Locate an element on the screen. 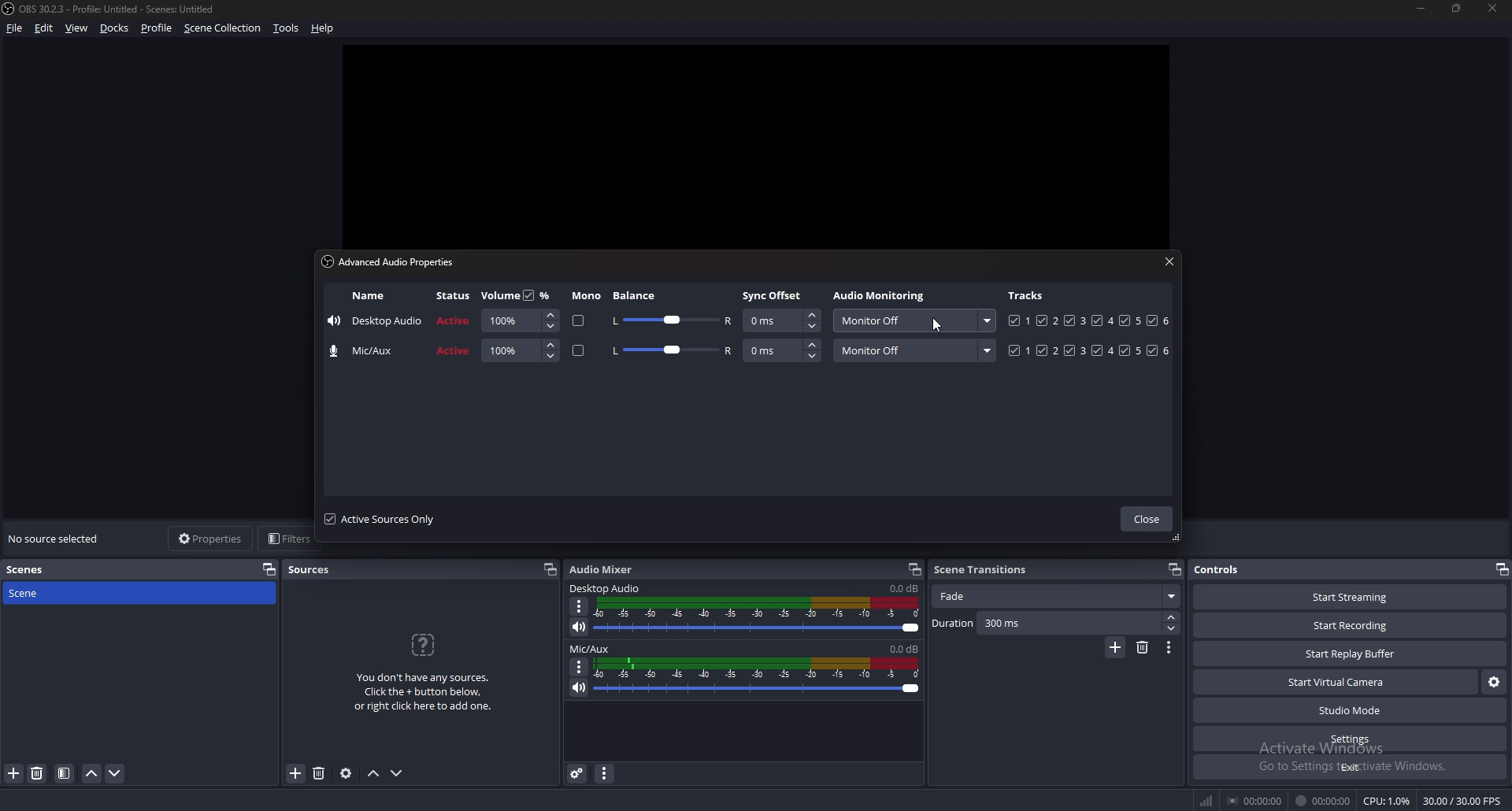 Image resolution: width=1512 pixels, height=811 pixels. ‘OBS 30.2.3 - Profile: Untitled - Scenes: Untitled is located at coordinates (121, 9).